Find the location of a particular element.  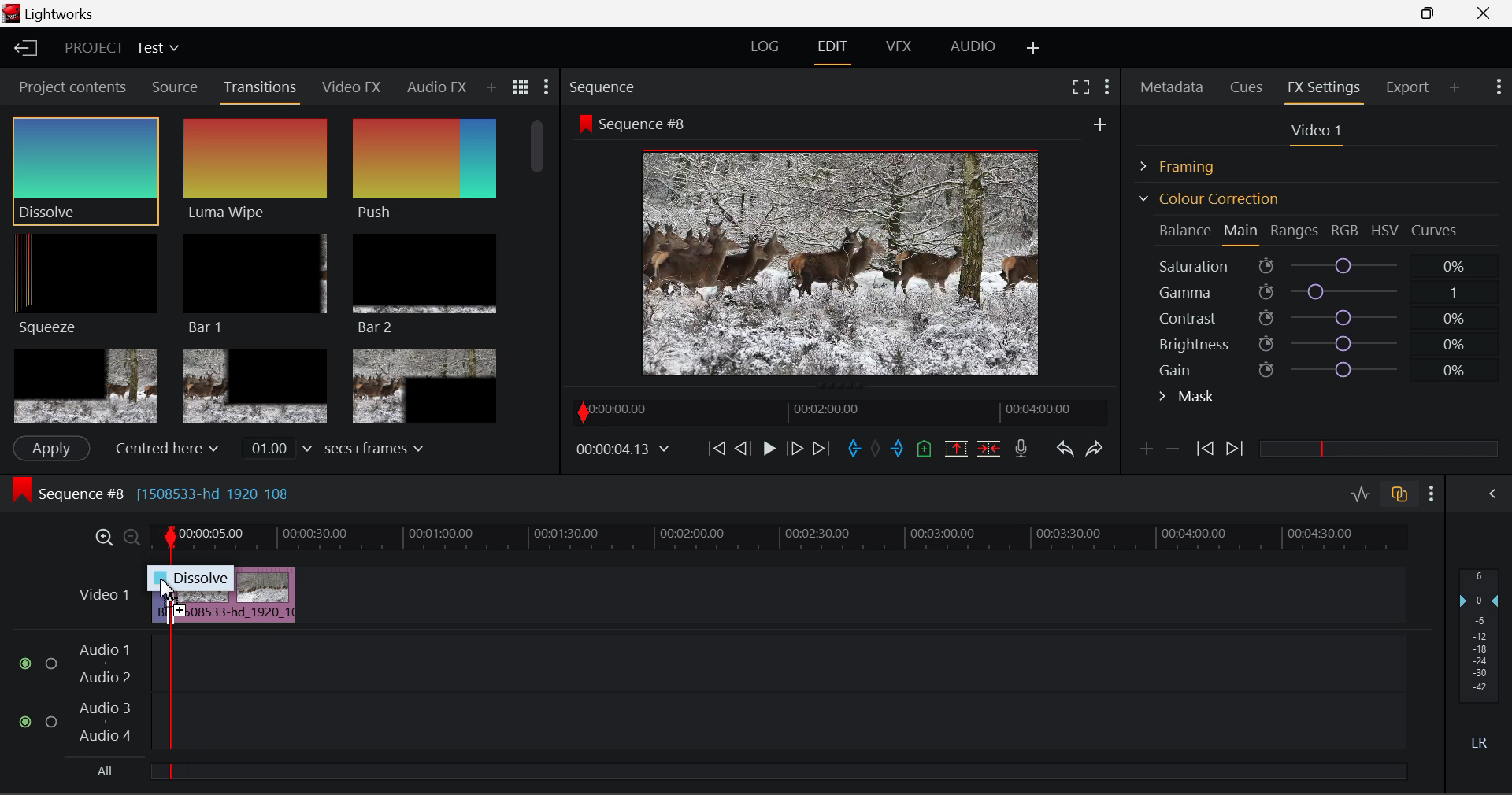

Apply is located at coordinates (50, 448).